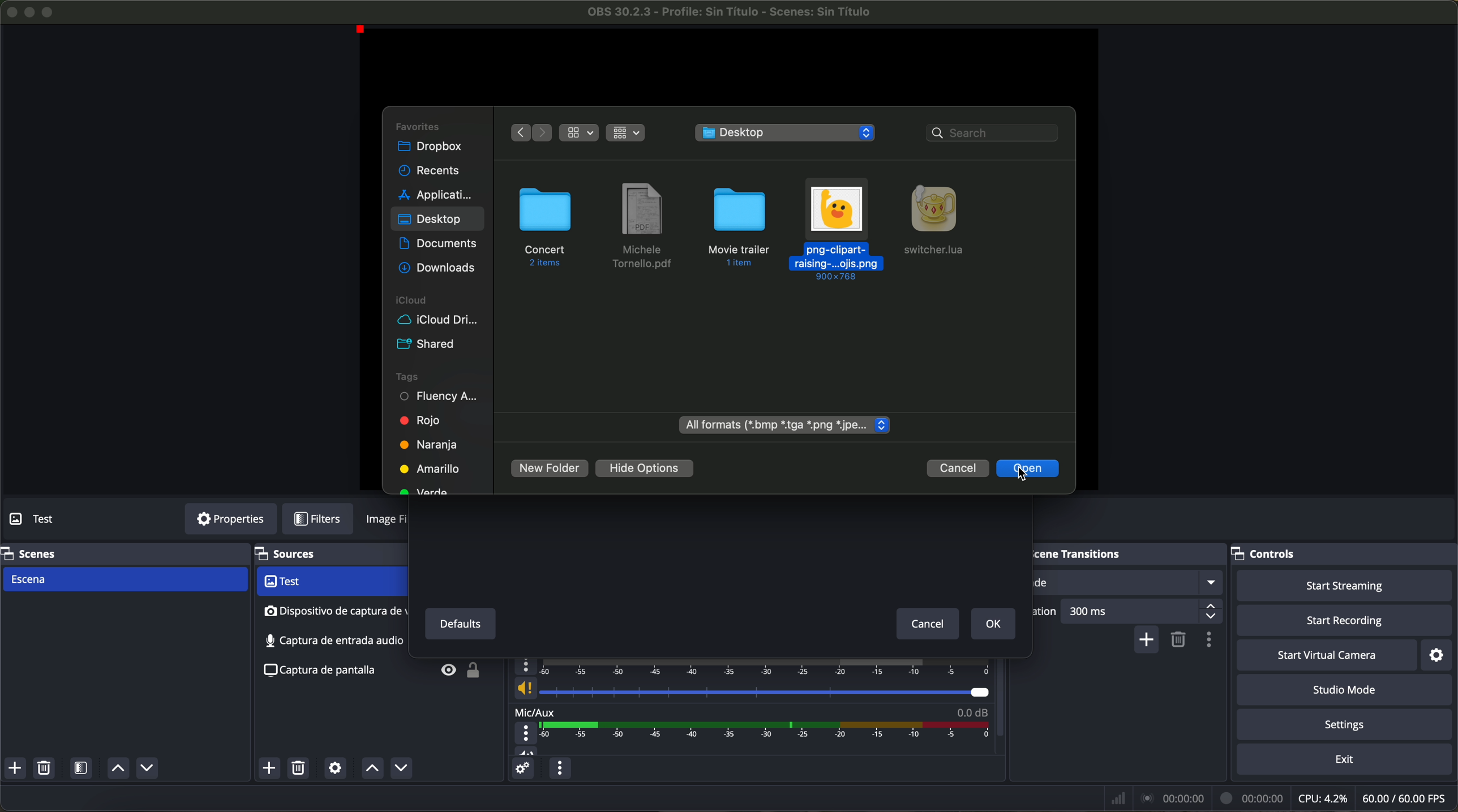  Describe the element at coordinates (418, 421) in the screenshot. I see `red` at that location.